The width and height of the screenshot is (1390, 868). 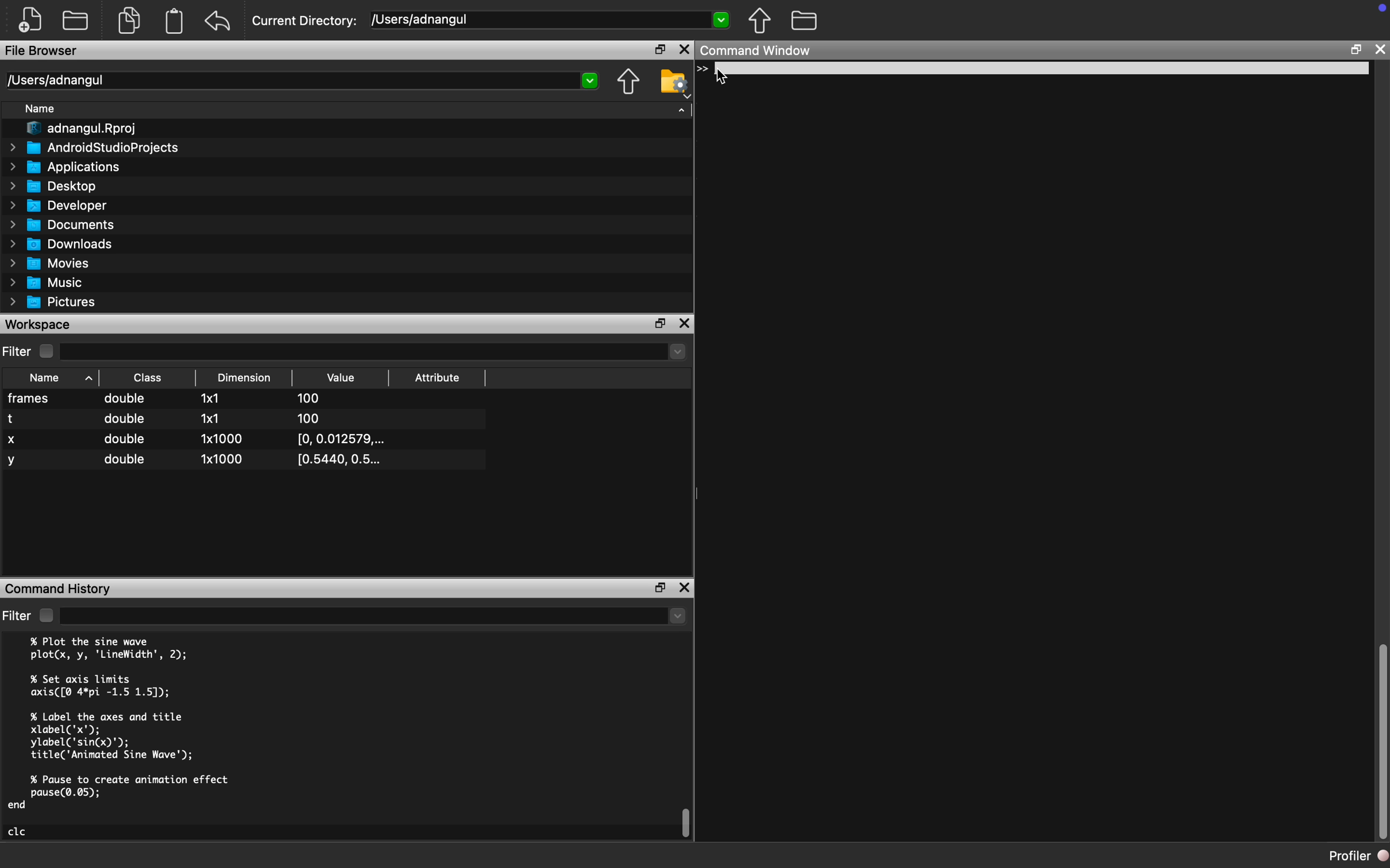 I want to click on Restore Down, so click(x=658, y=324).